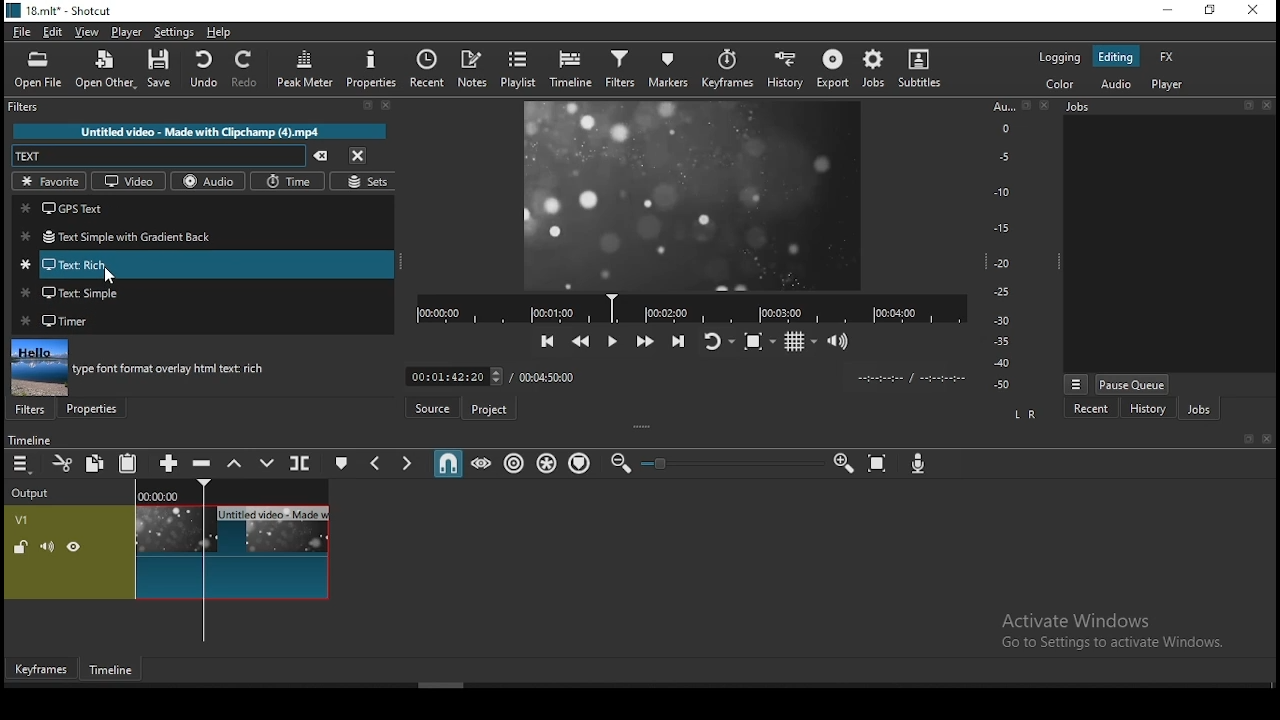 The height and width of the screenshot is (720, 1280). I want to click on history, so click(1147, 408).